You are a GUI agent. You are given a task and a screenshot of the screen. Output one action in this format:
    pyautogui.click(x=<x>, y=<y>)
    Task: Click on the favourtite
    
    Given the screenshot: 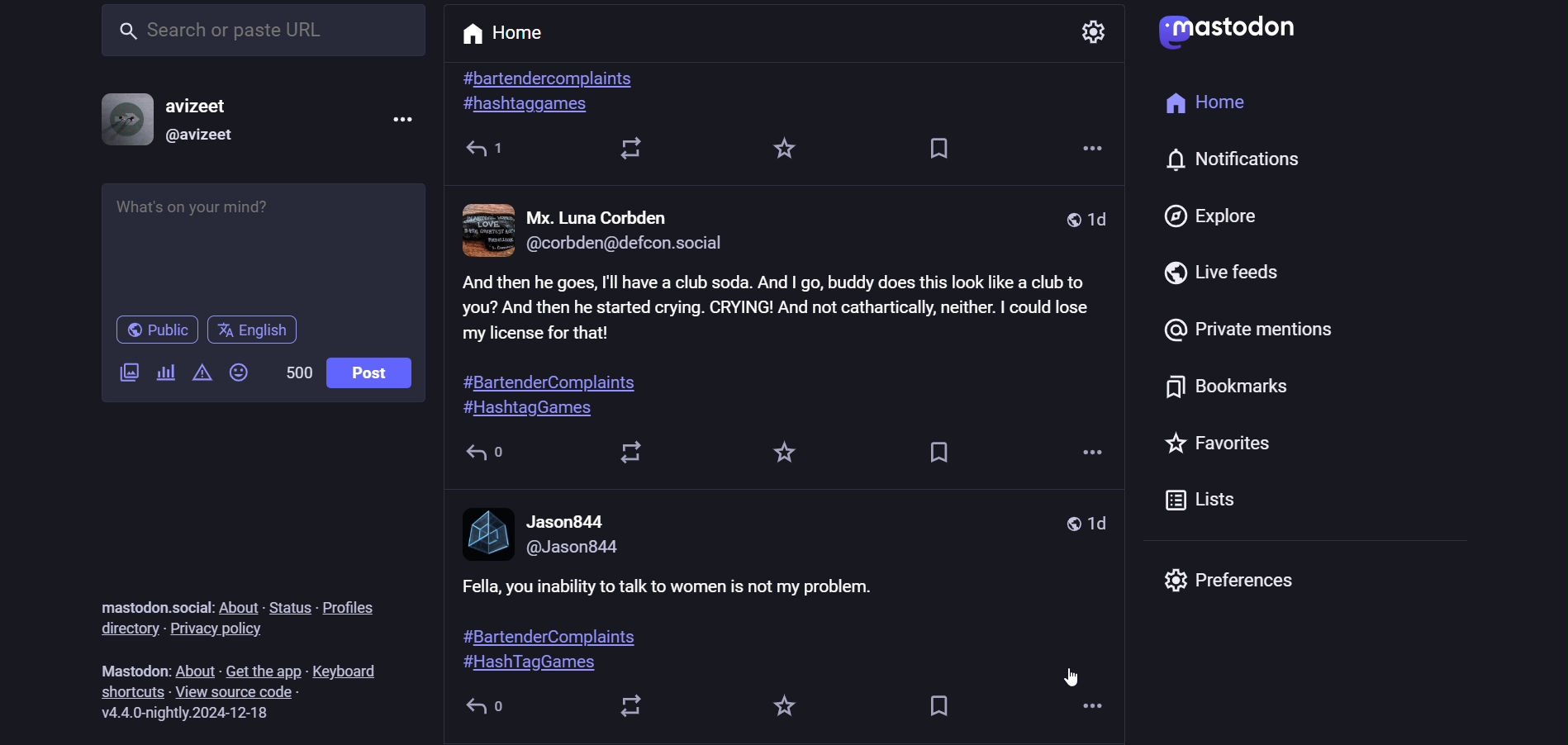 What is the action you would take?
    pyautogui.click(x=783, y=456)
    